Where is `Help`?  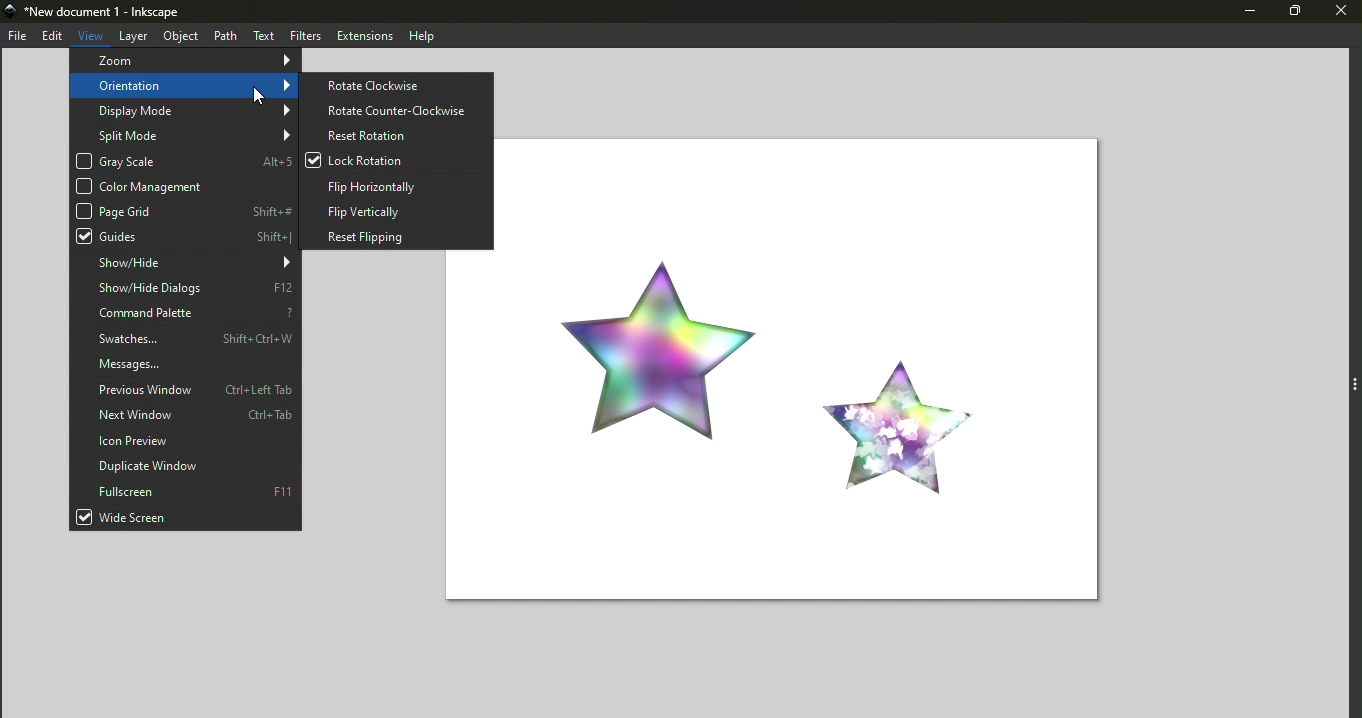 Help is located at coordinates (423, 35).